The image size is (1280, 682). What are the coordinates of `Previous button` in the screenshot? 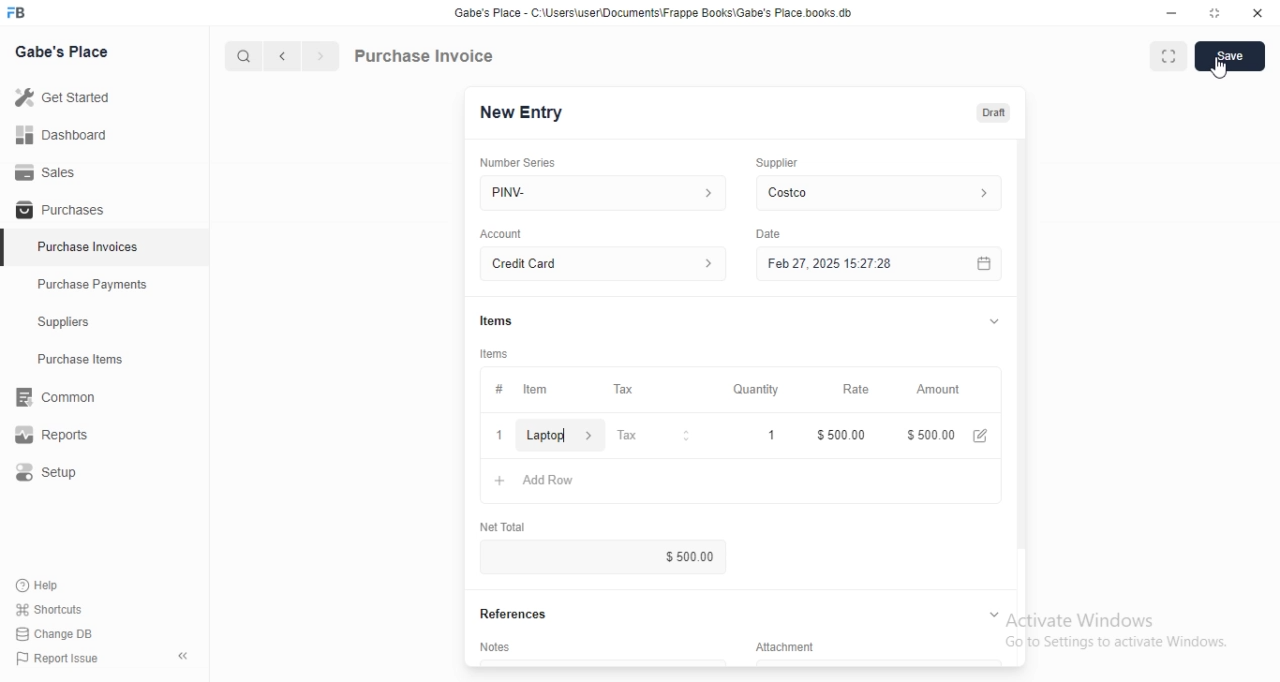 It's located at (283, 56).